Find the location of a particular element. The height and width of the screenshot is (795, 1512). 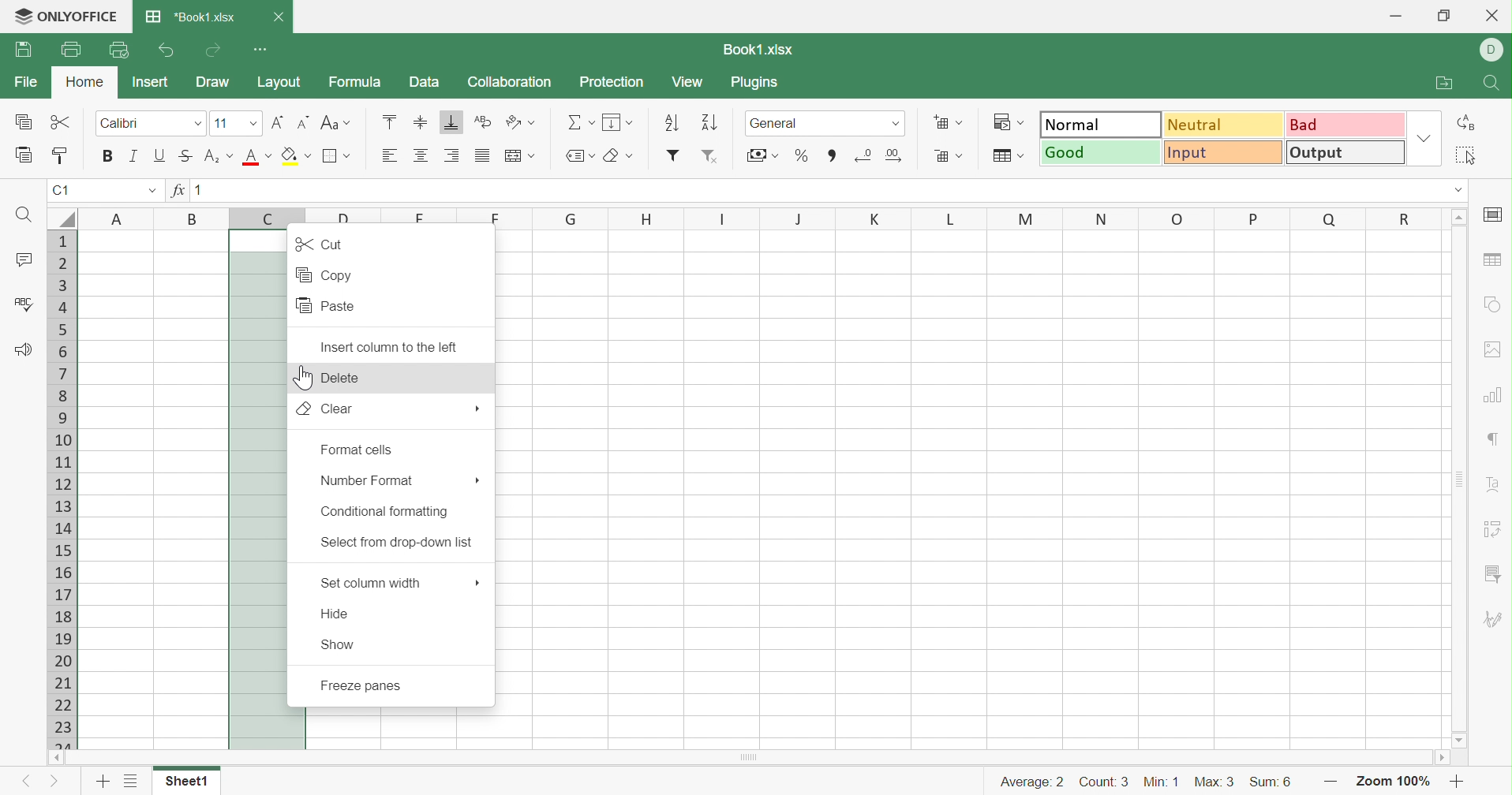

Scroll Right is located at coordinates (1441, 760).